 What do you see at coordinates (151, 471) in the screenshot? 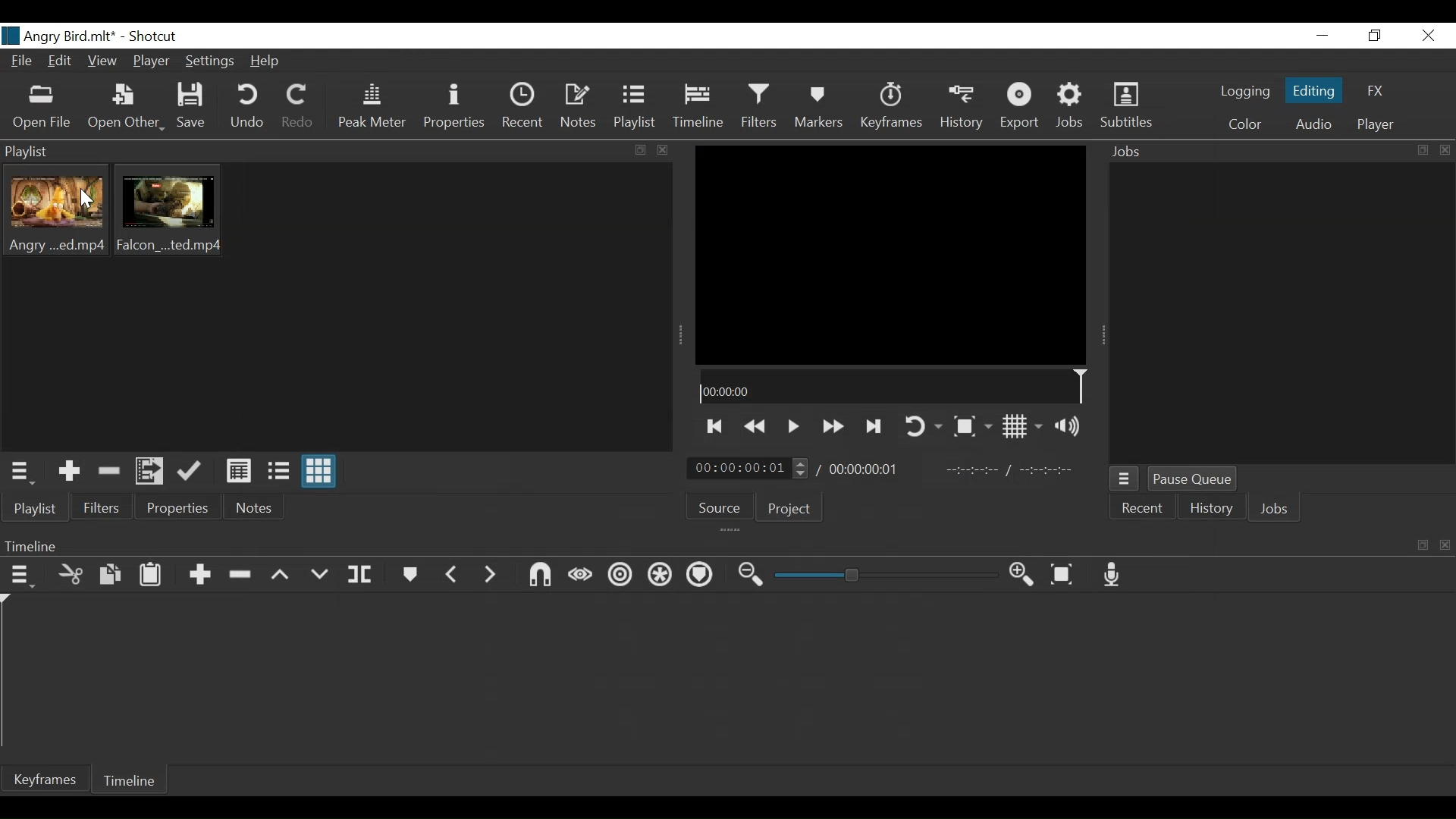
I see `Add files to the playlist` at bounding box center [151, 471].